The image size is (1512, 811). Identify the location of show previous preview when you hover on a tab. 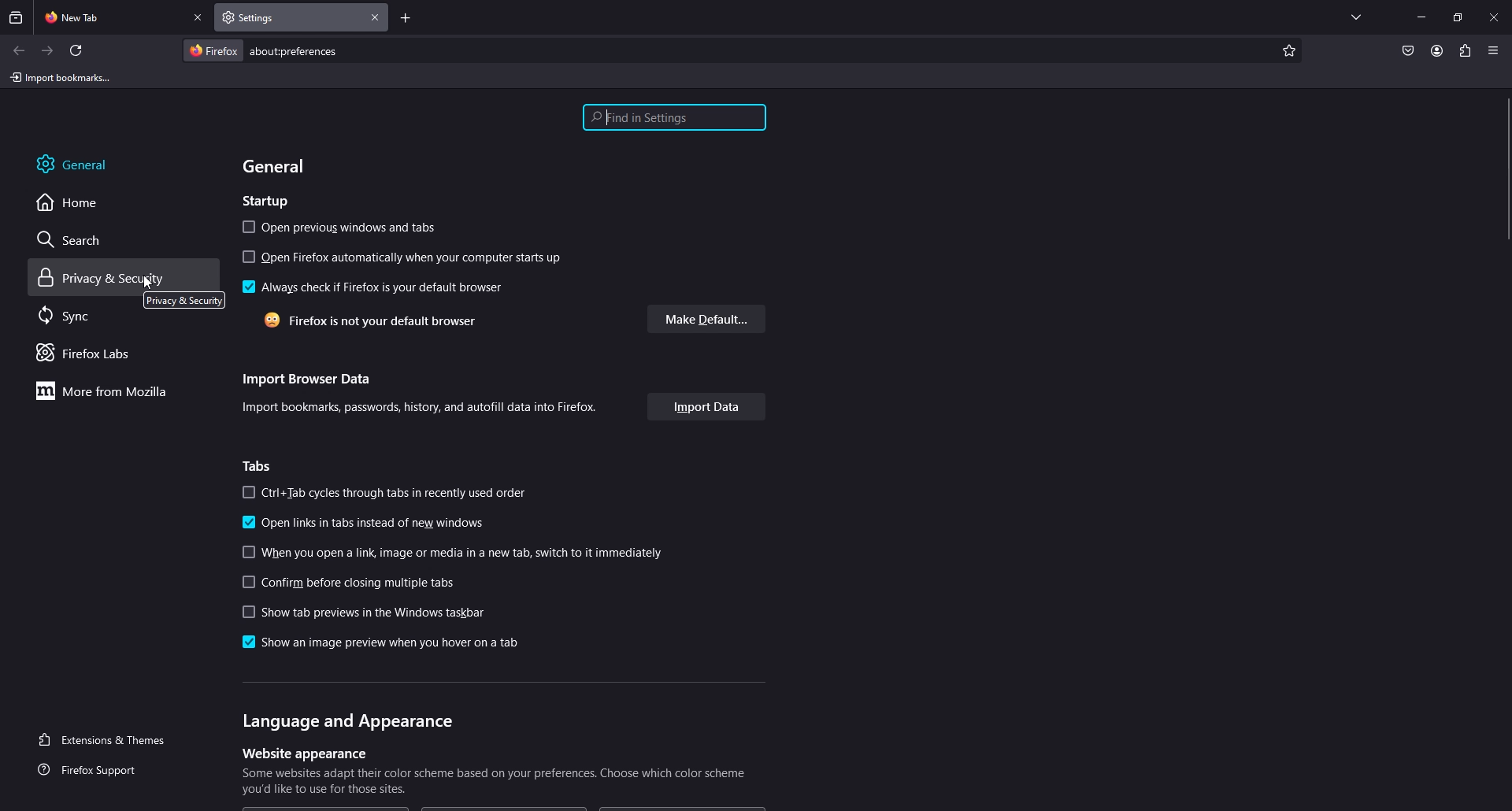
(359, 613).